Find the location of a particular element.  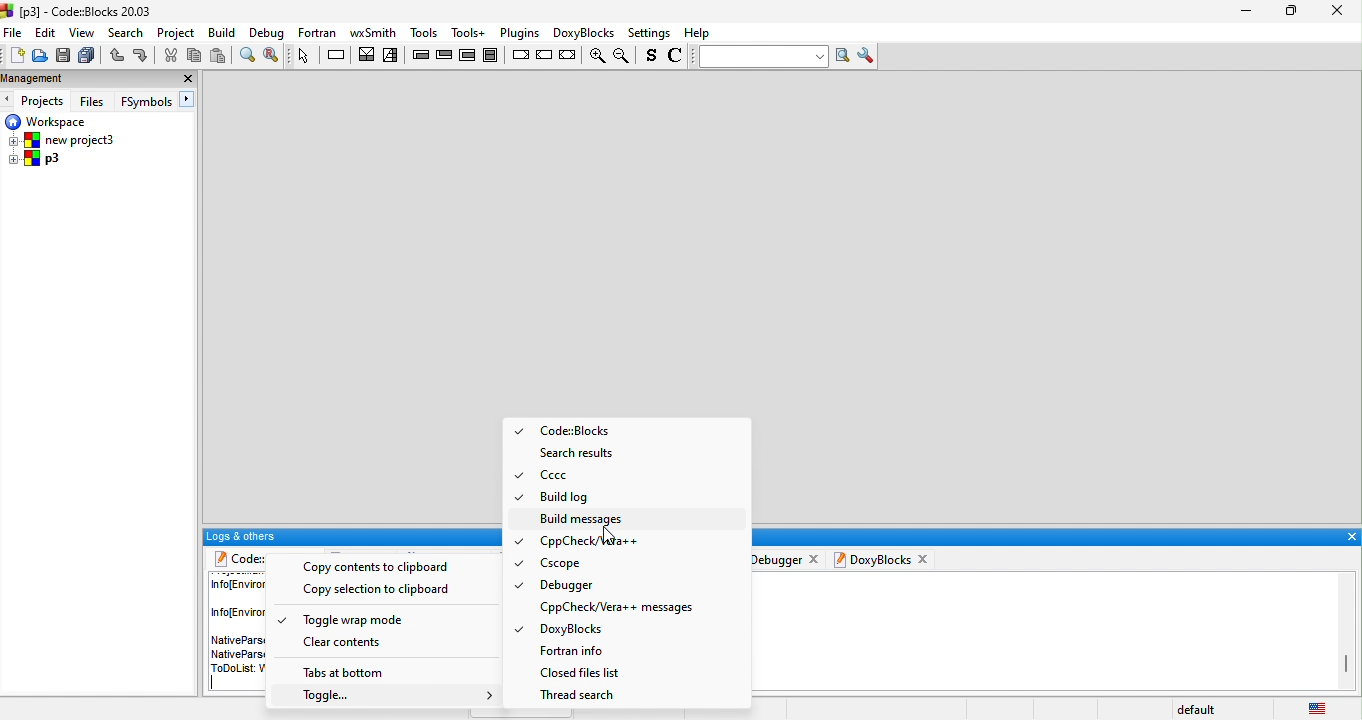

United states (english) is located at coordinates (1320, 706).